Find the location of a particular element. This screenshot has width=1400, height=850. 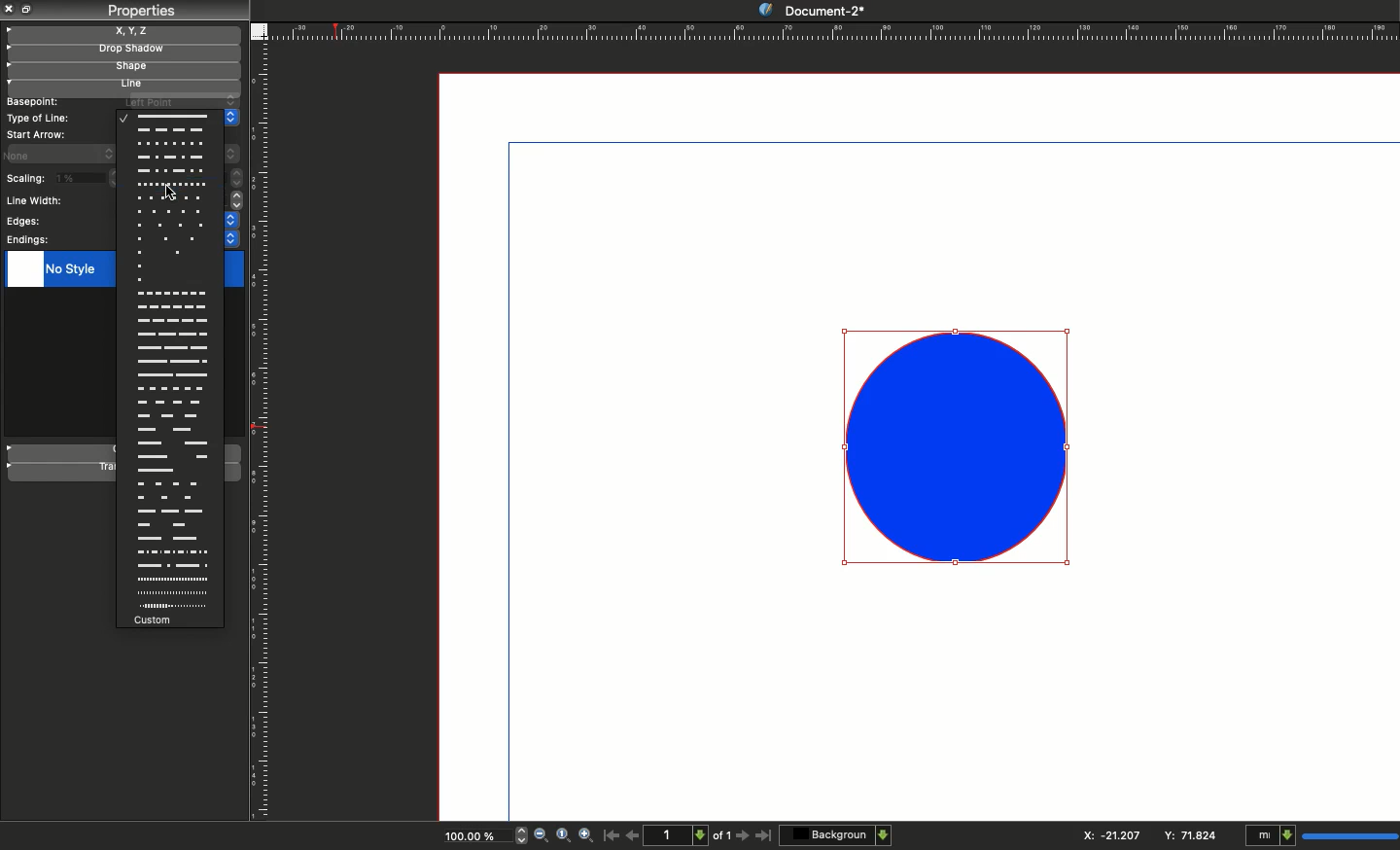

line option is located at coordinates (171, 226).